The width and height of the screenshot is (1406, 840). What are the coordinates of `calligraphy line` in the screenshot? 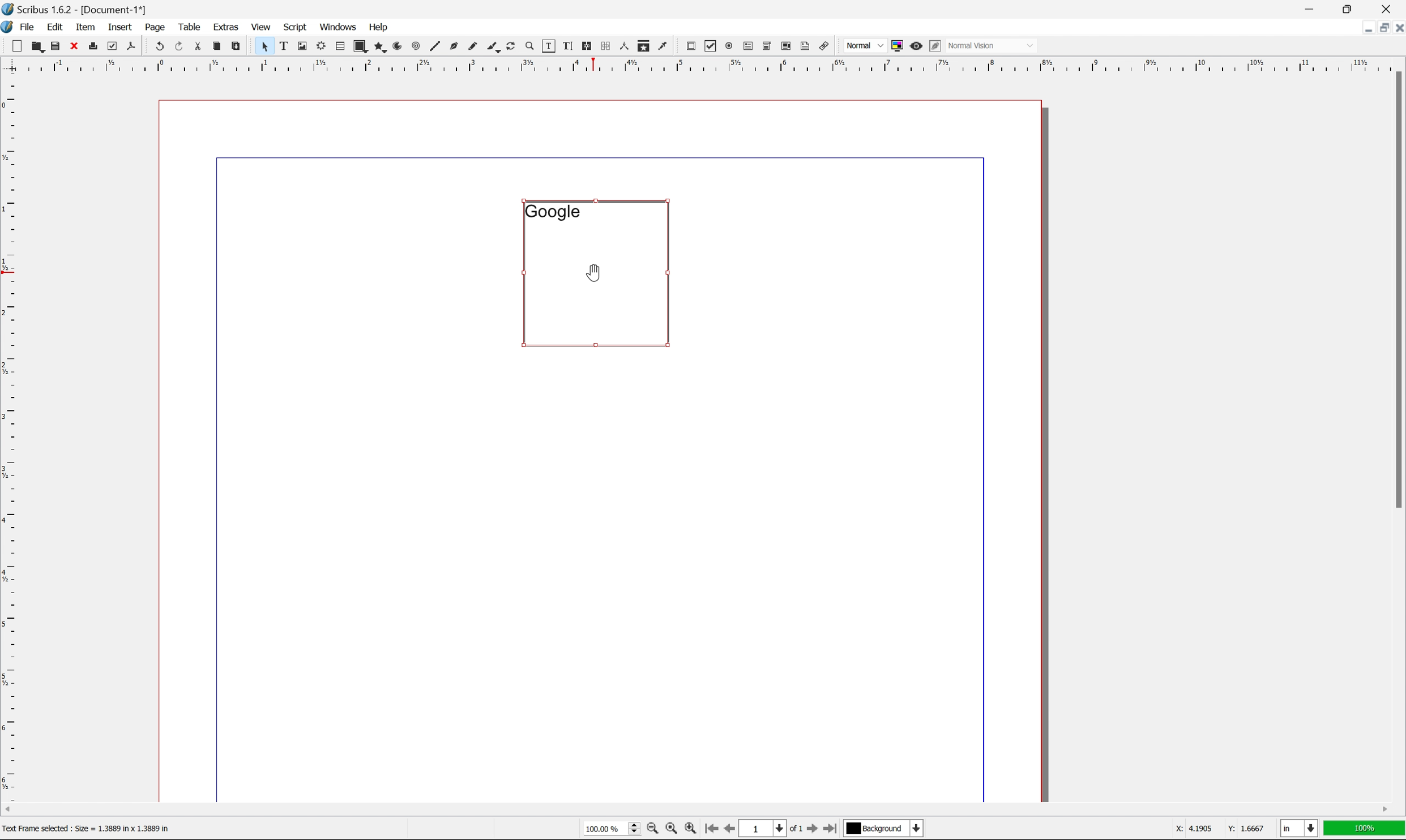 It's located at (493, 45).